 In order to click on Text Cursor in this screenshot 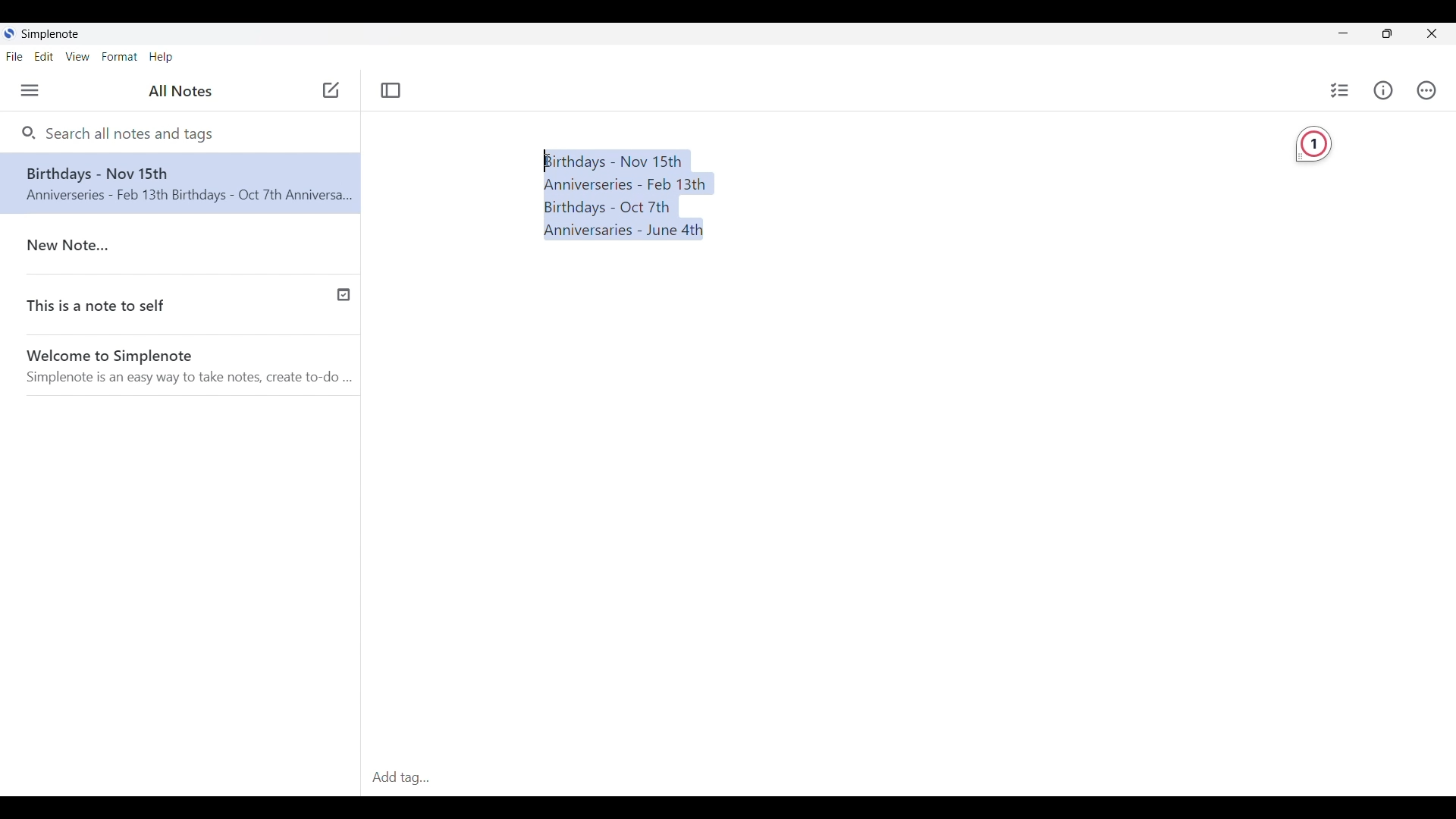, I will do `click(547, 160)`.